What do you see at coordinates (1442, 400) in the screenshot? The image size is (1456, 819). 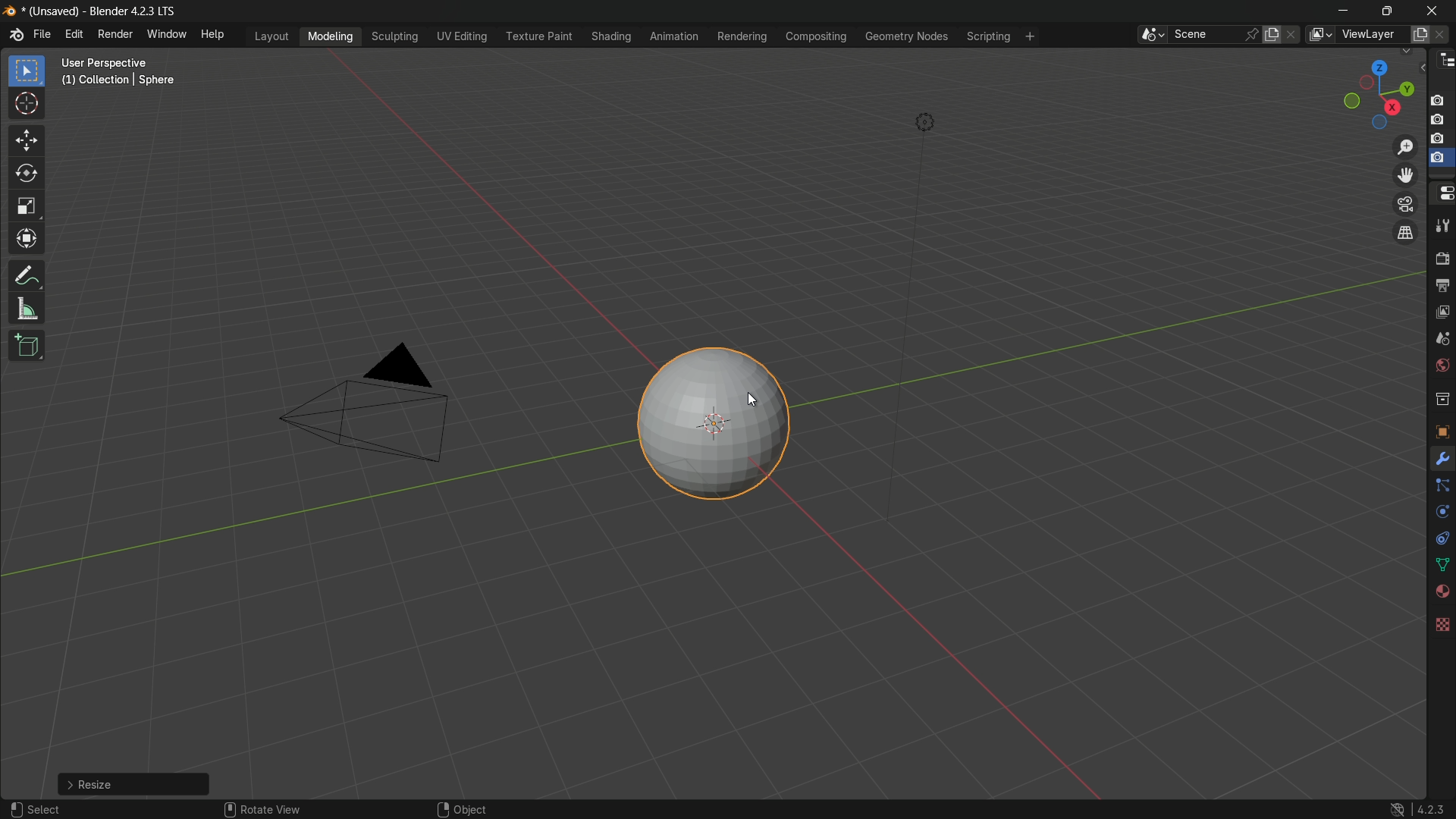 I see `collections` at bounding box center [1442, 400].